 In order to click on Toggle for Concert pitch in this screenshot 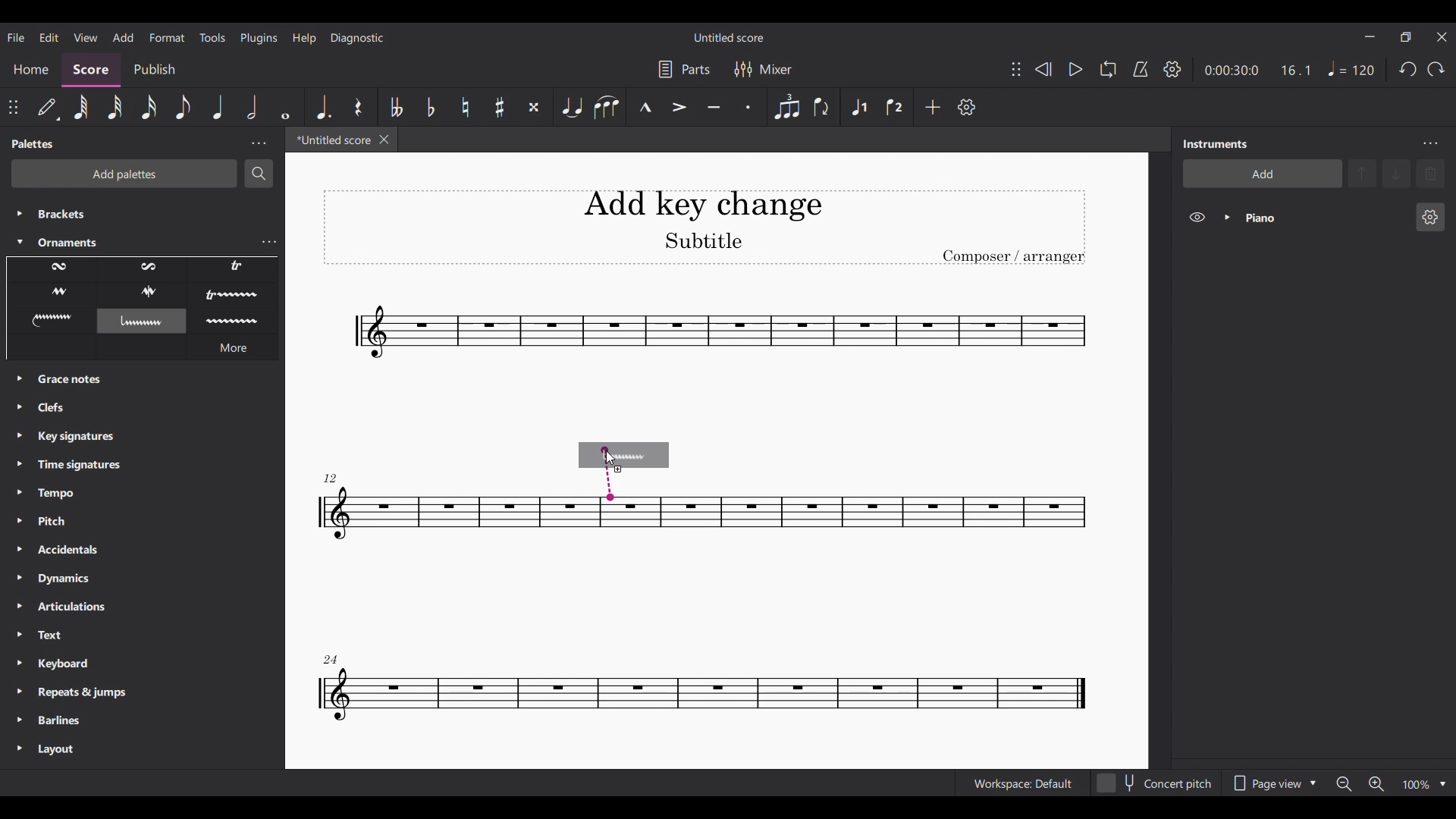, I will do `click(1156, 783)`.